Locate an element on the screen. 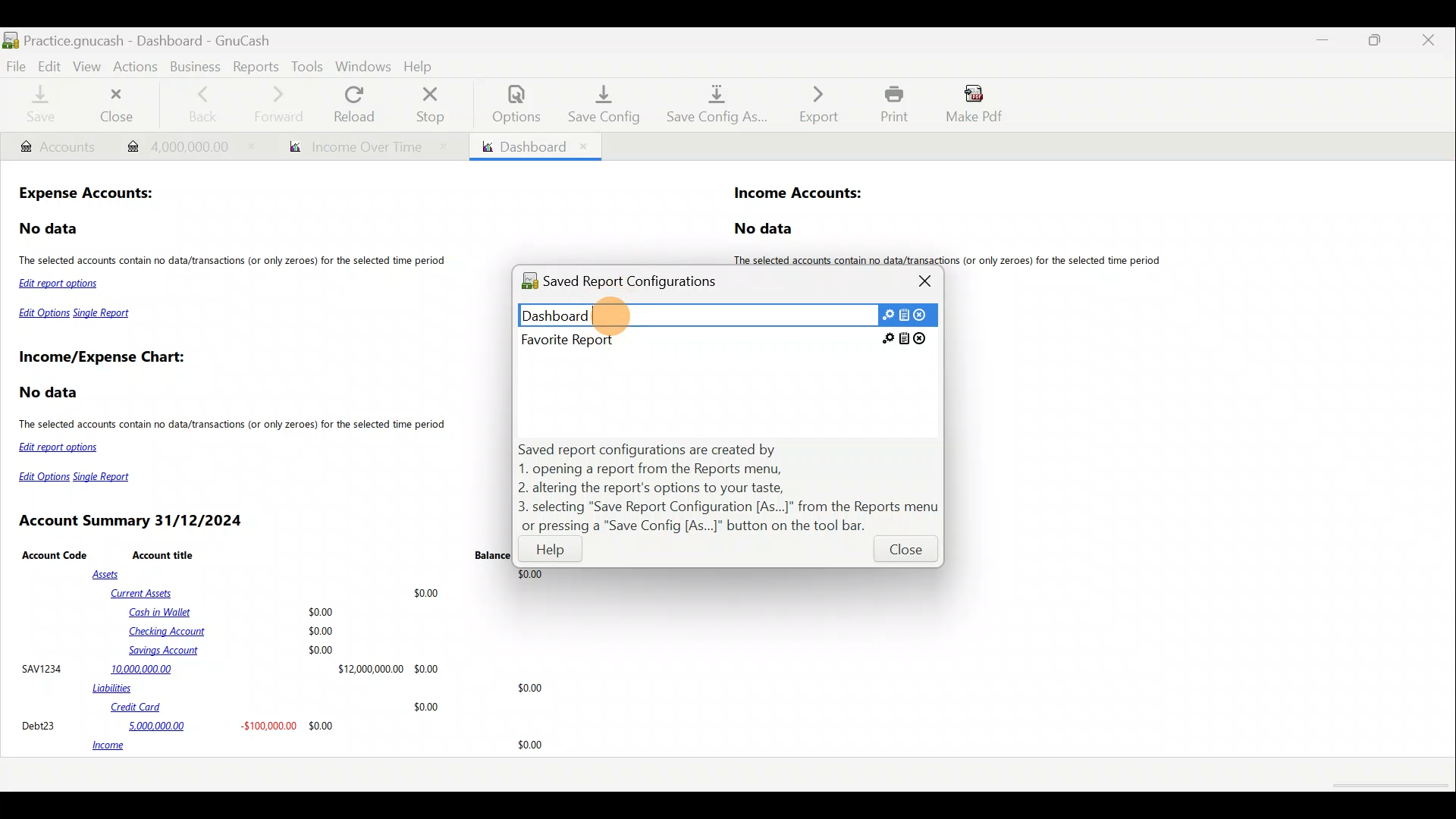 This screenshot has width=1456, height=819. Reload is located at coordinates (357, 104).